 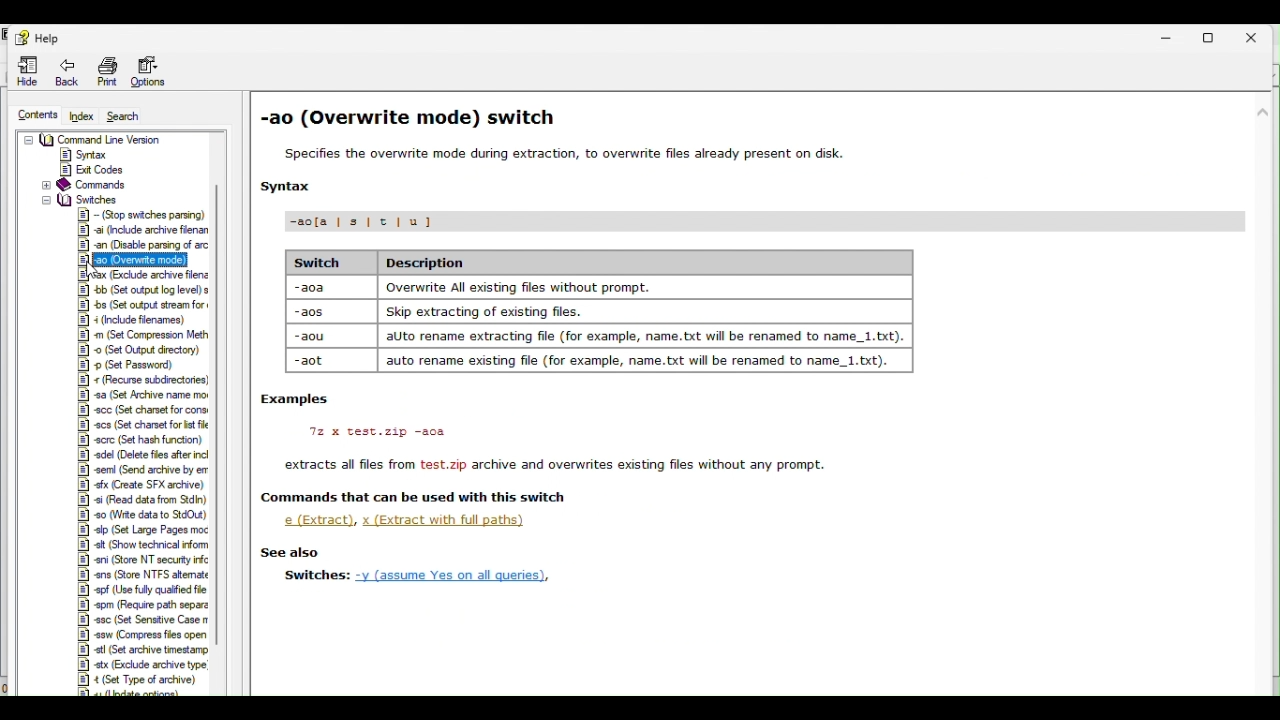 I want to click on |&] edel (Delete fies after ind, so click(x=144, y=455).